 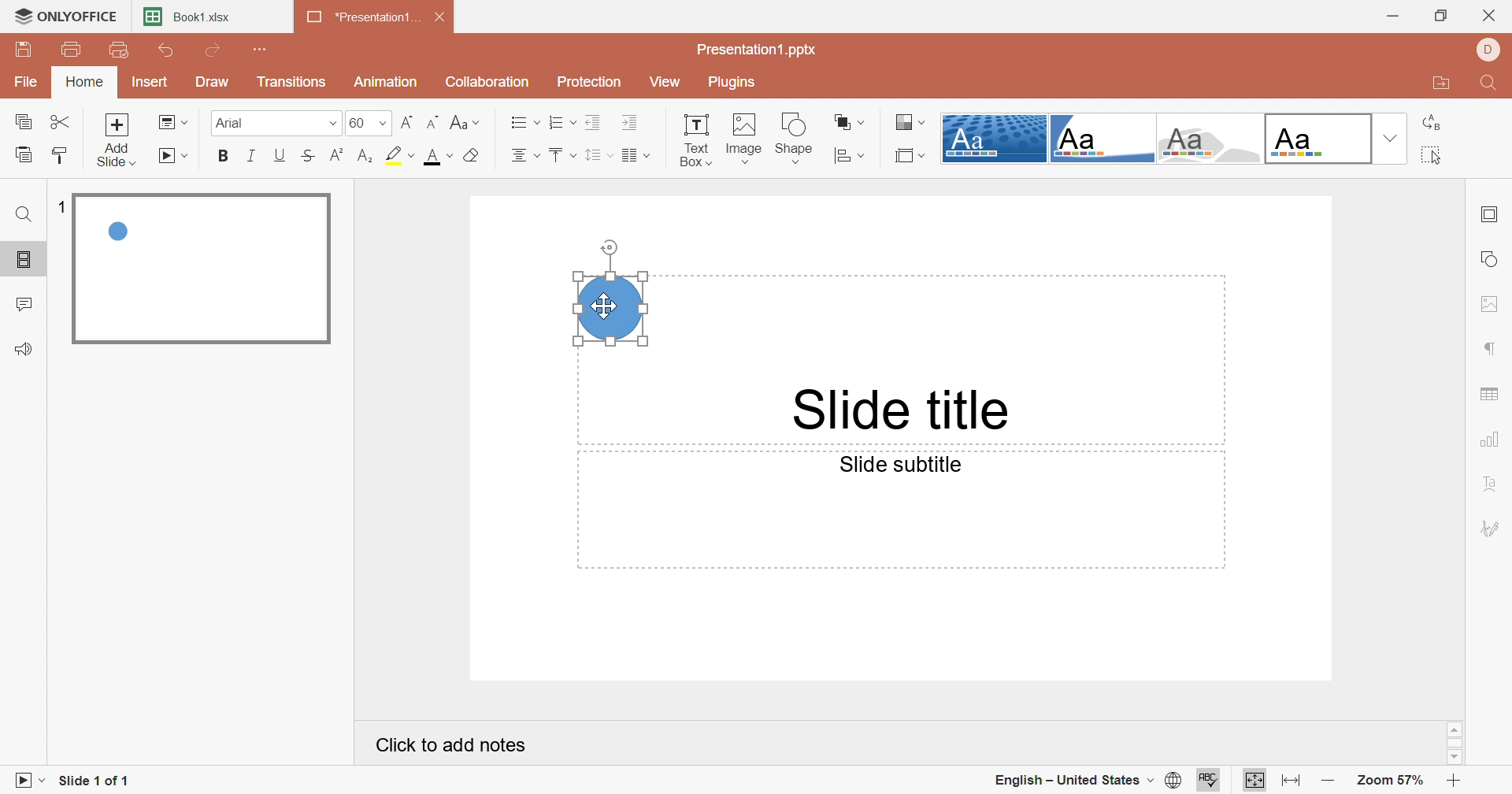 I want to click on Italic, so click(x=253, y=158).